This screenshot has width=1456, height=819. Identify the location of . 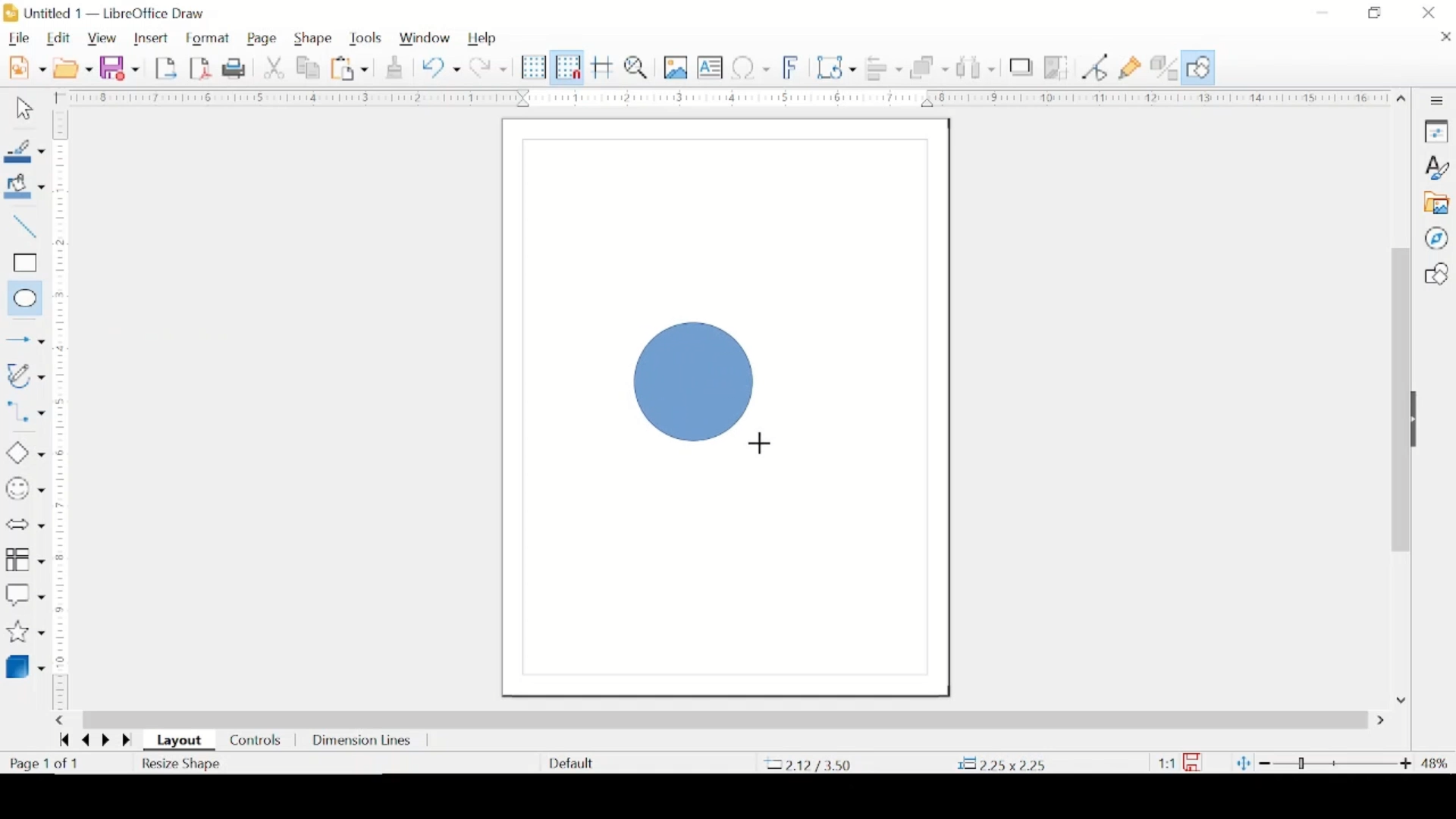
(21, 337).